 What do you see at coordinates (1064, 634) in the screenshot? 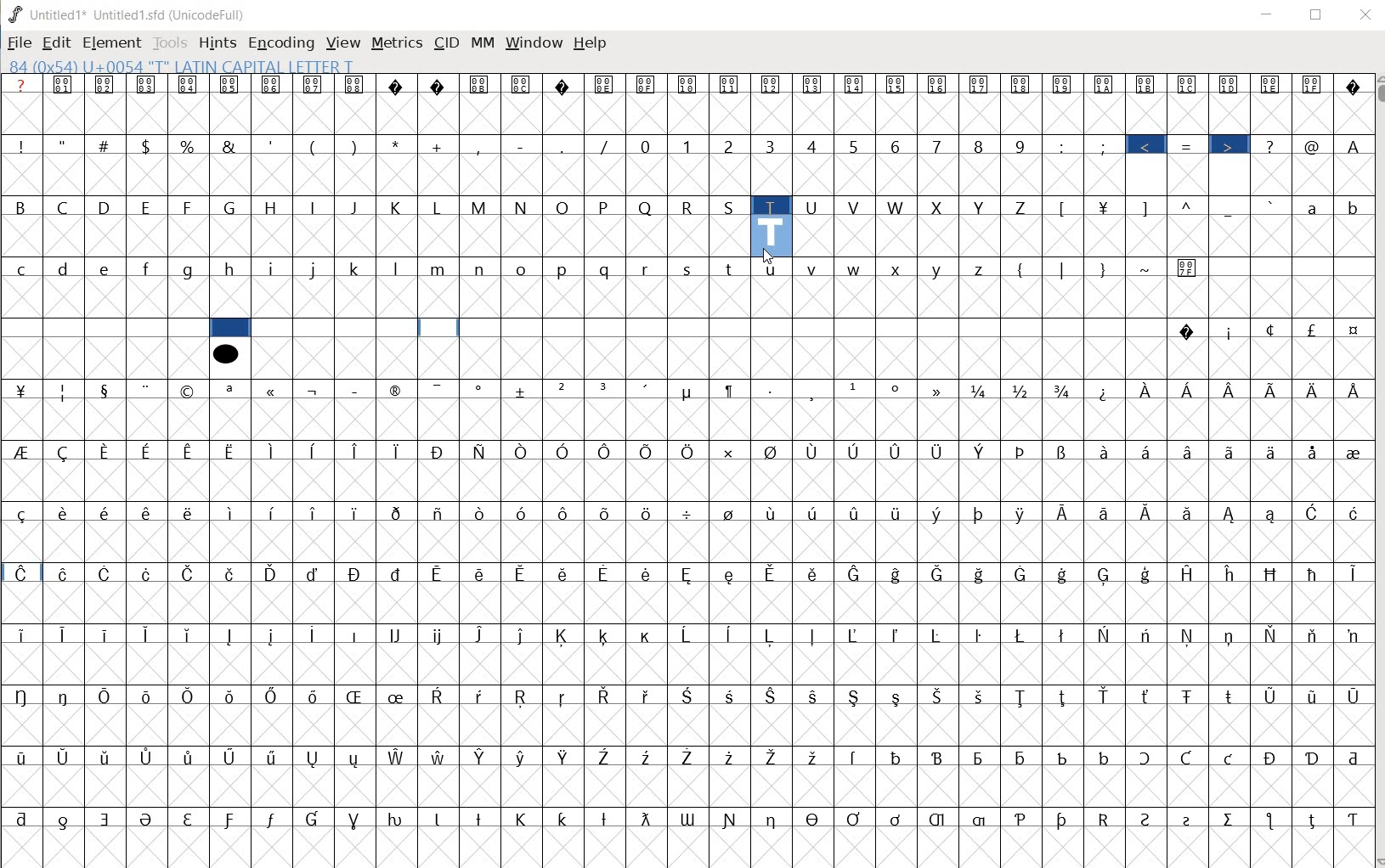
I see `Symbol` at bounding box center [1064, 634].